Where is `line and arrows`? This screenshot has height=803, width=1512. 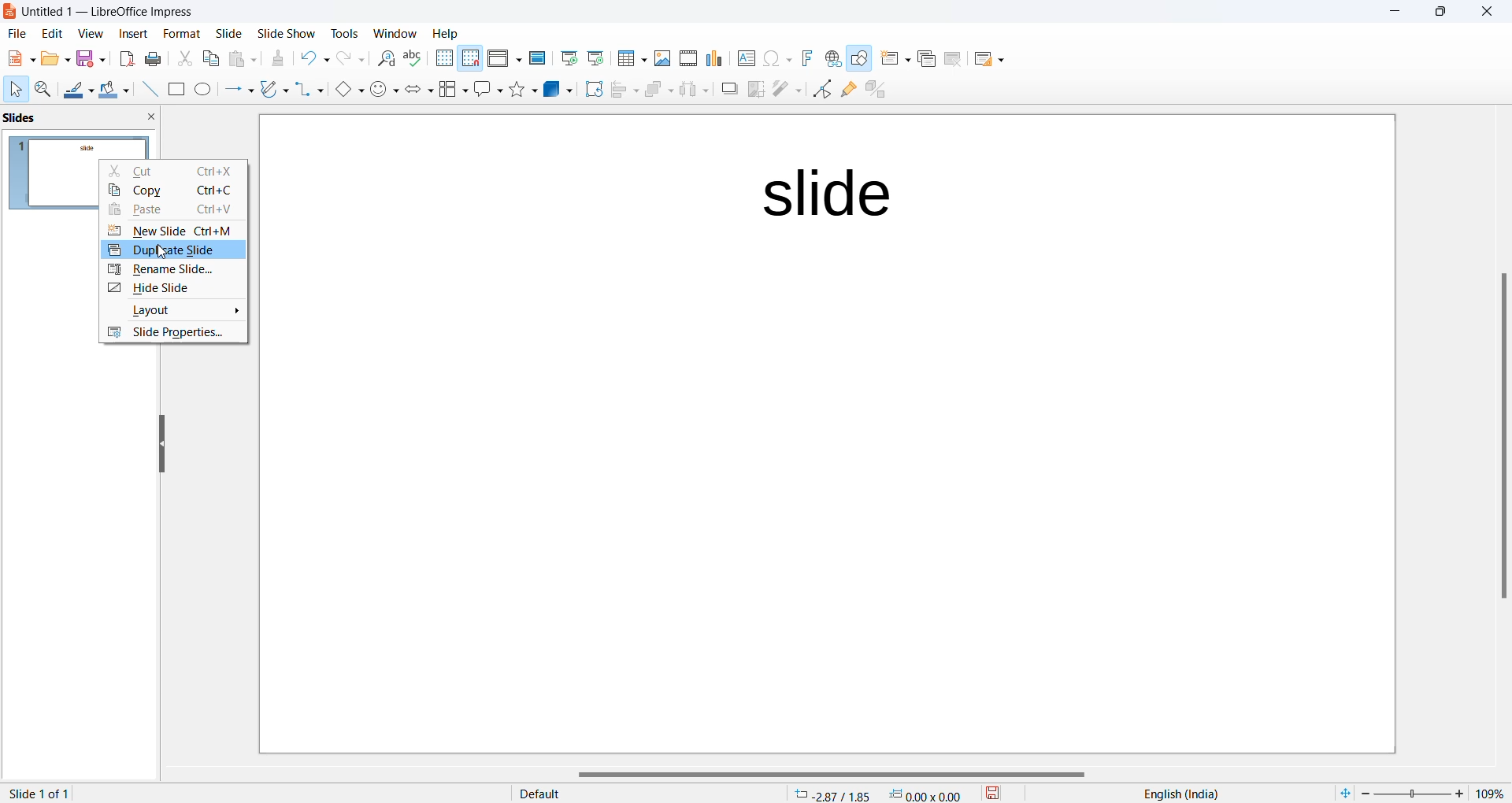
line and arrows is located at coordinates (235, 90).